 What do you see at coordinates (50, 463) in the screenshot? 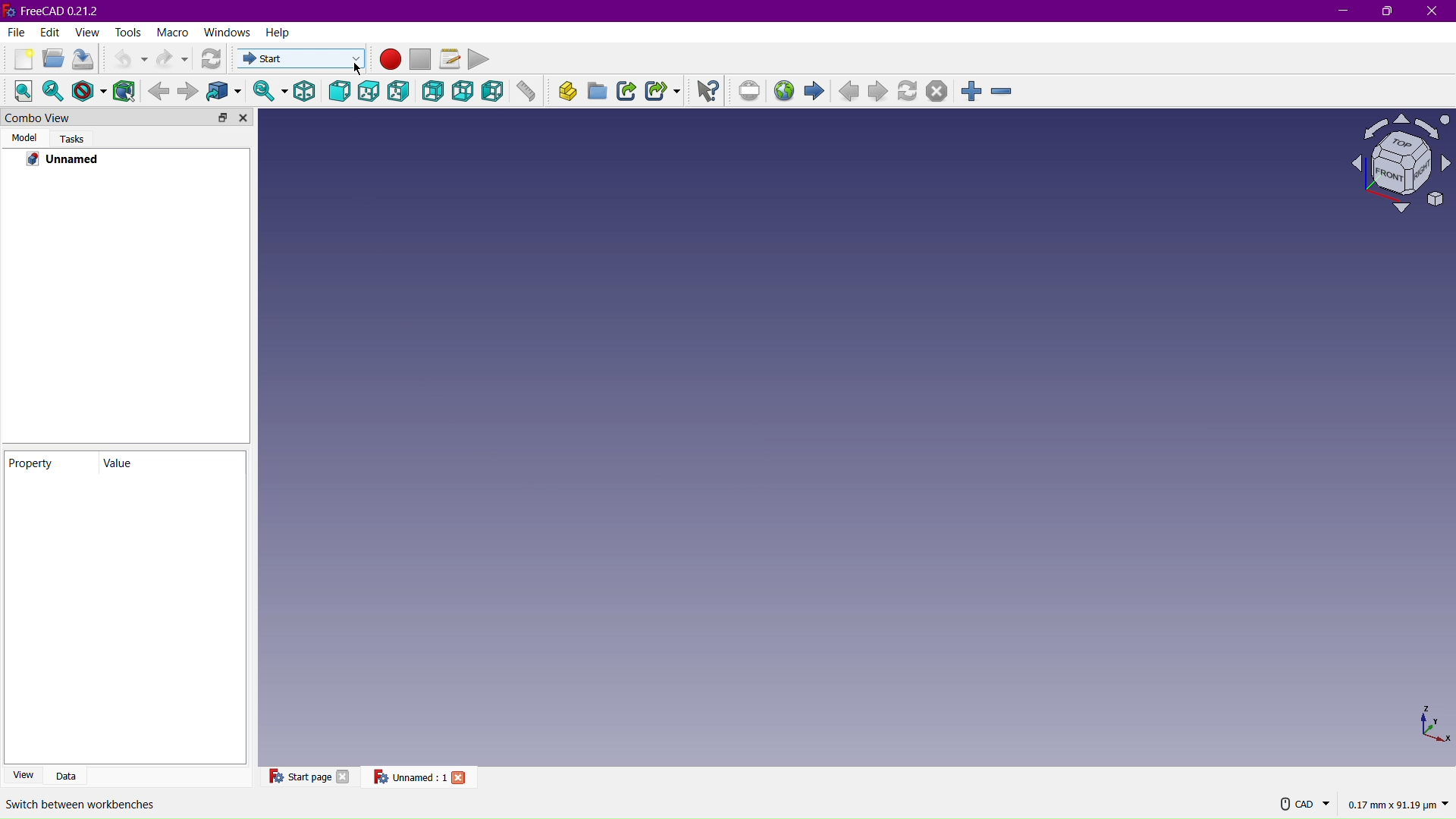
I see `Property ` at bounding box center [50, 463].